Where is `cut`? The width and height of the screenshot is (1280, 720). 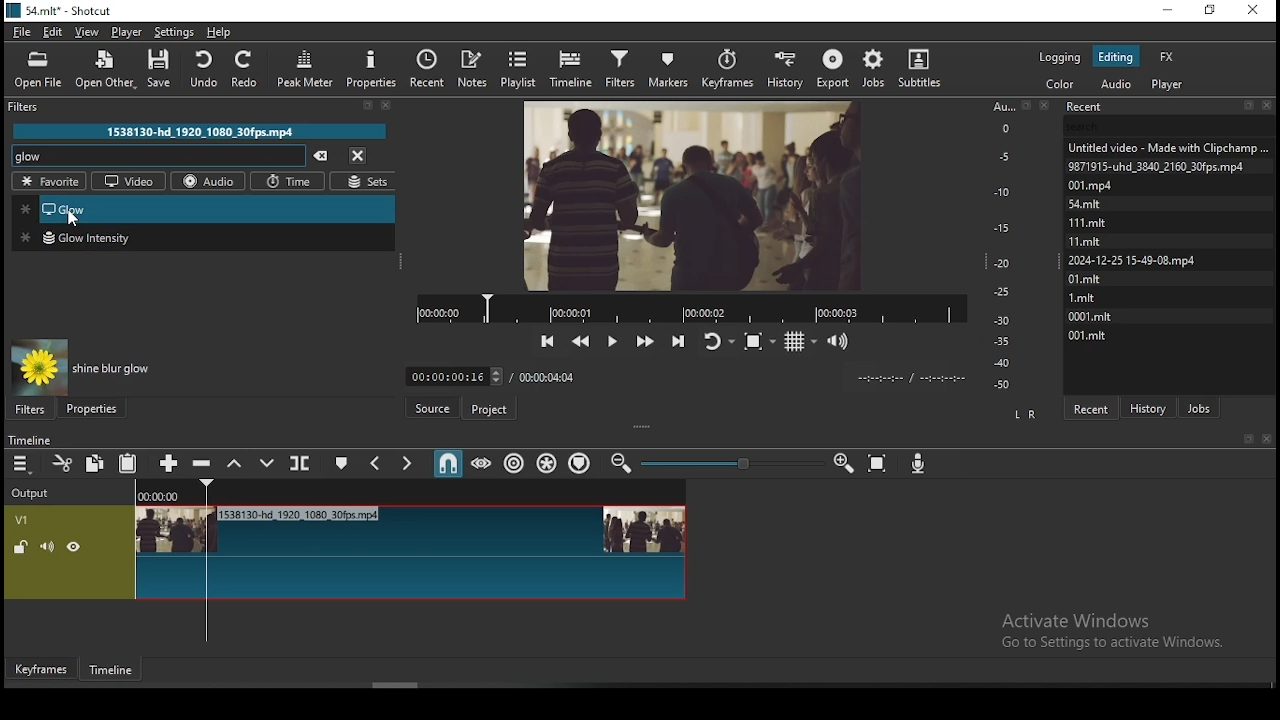
cut is located at coordinates (58, 465).